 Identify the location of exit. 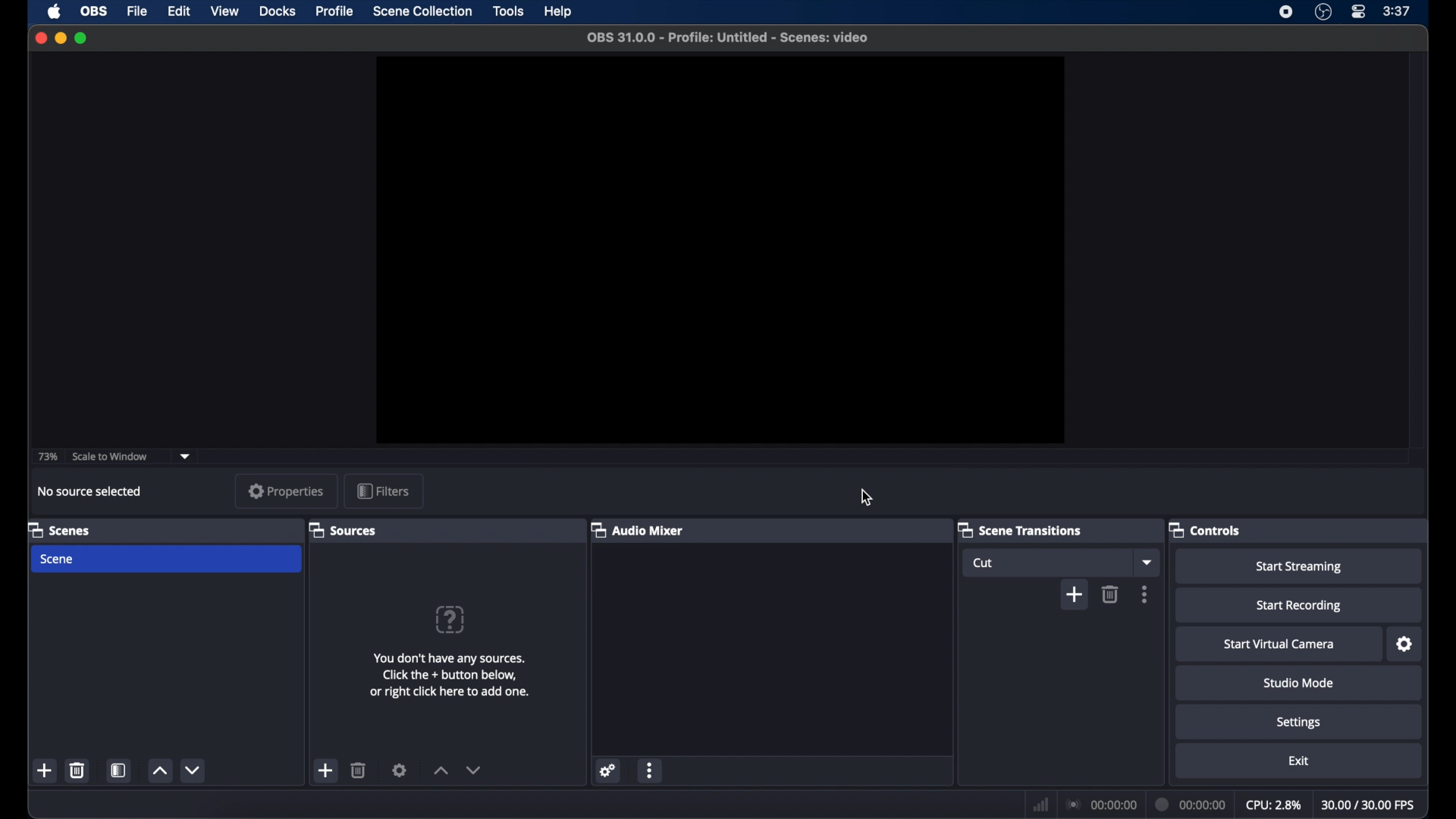
(1298, 761).